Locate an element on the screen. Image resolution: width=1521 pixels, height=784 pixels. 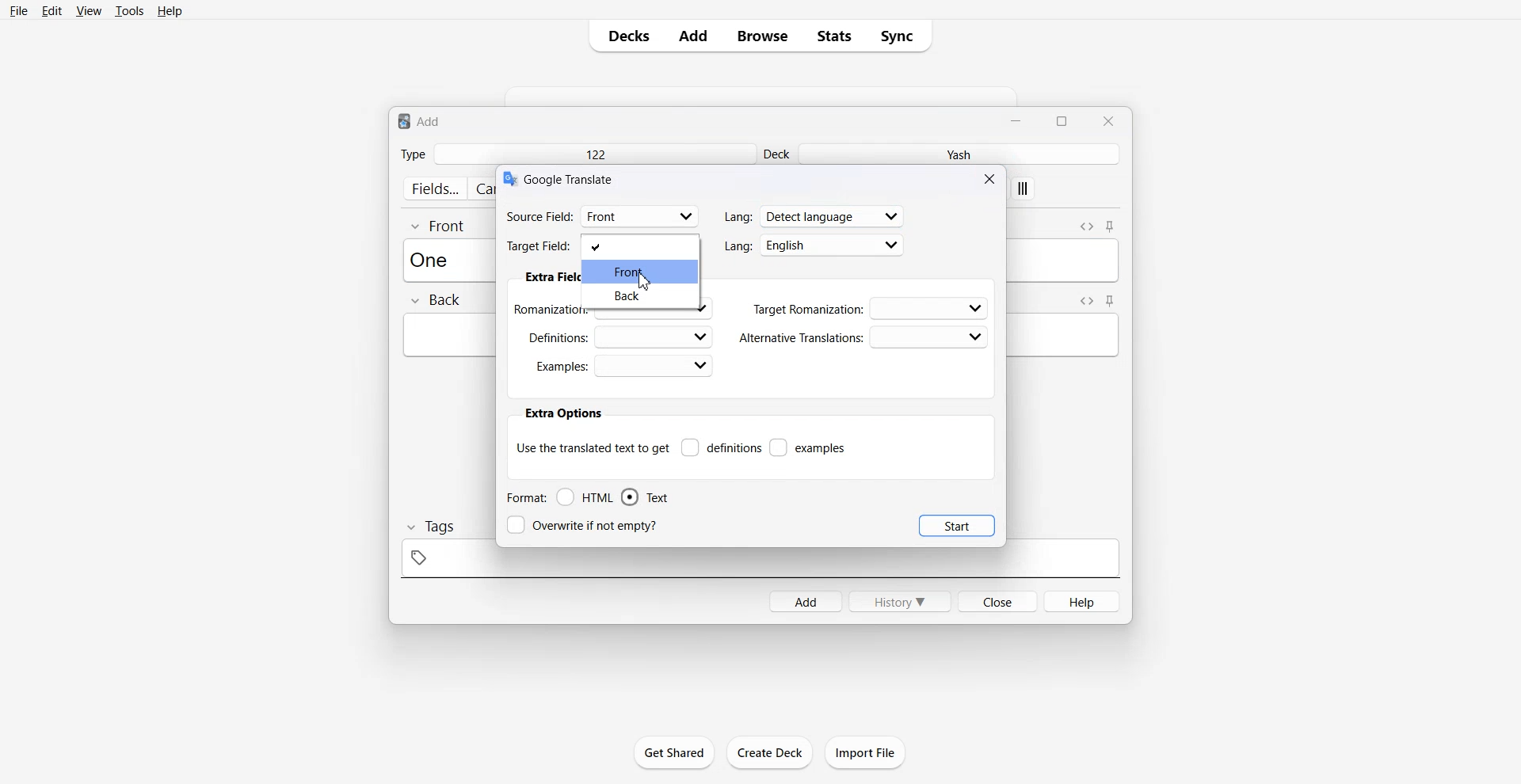
Examples is located at coordinates (623, 366).